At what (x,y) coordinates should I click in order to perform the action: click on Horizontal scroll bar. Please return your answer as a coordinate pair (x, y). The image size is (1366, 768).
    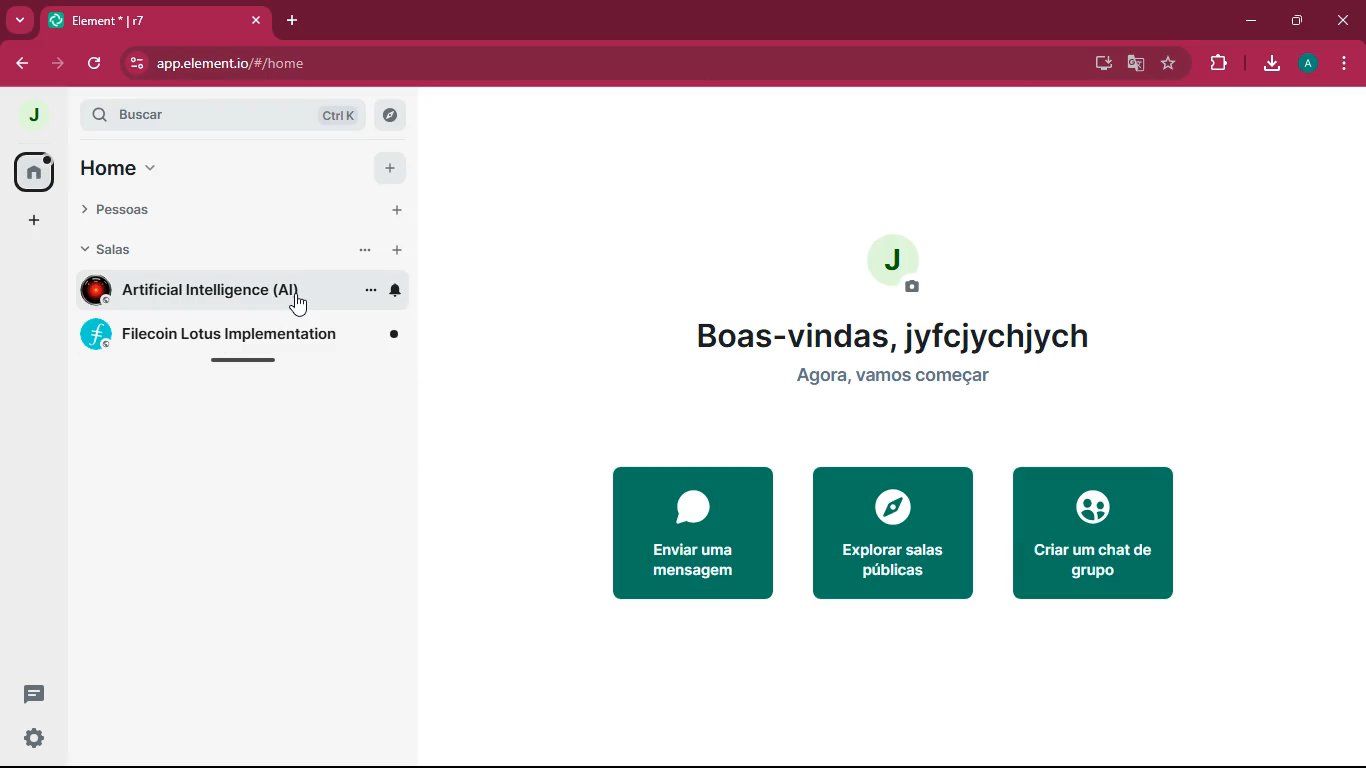
    Looking at the image, I should click on (246, 359).